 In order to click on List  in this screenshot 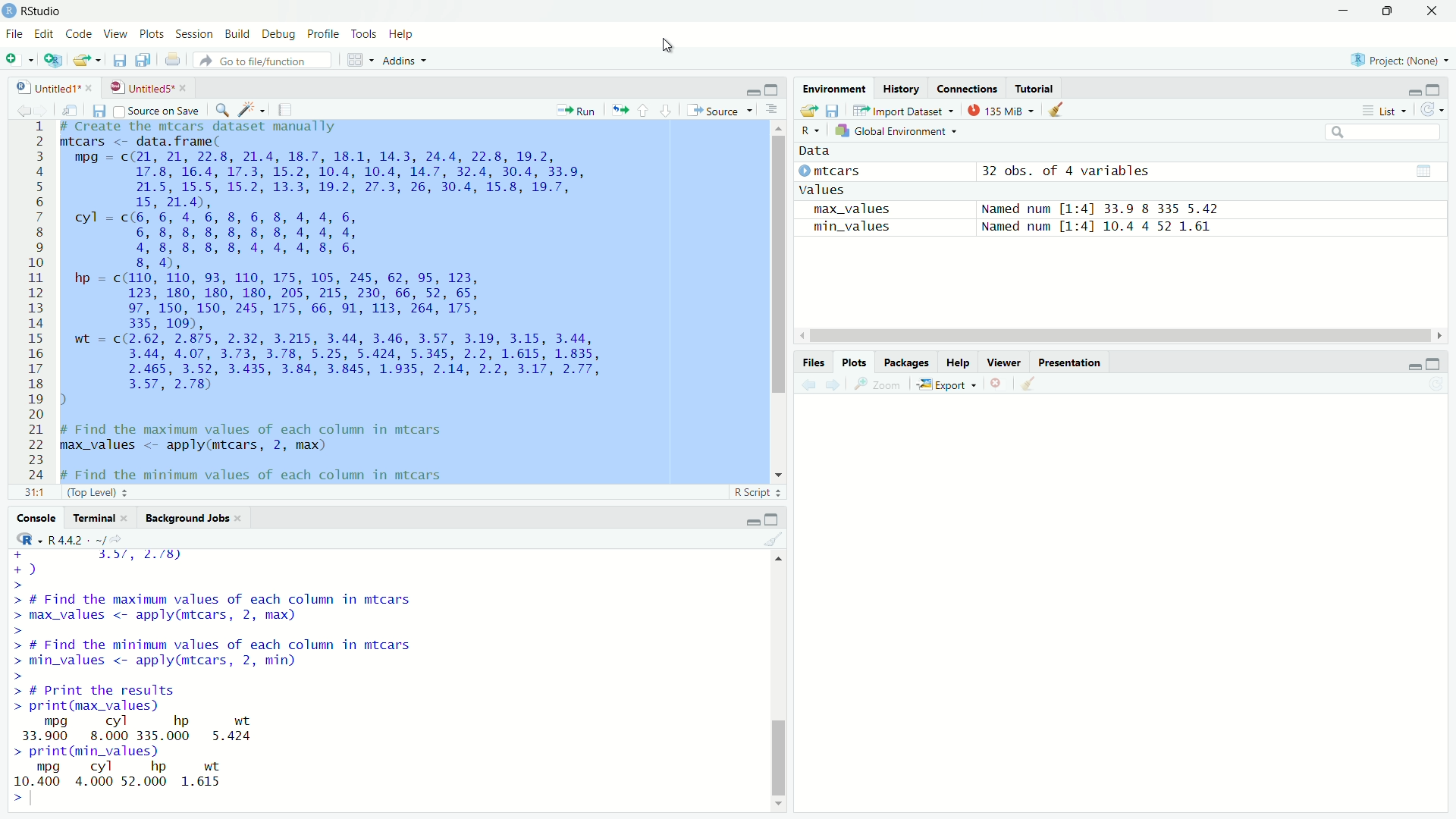, I will do `click(1383, 109)`.